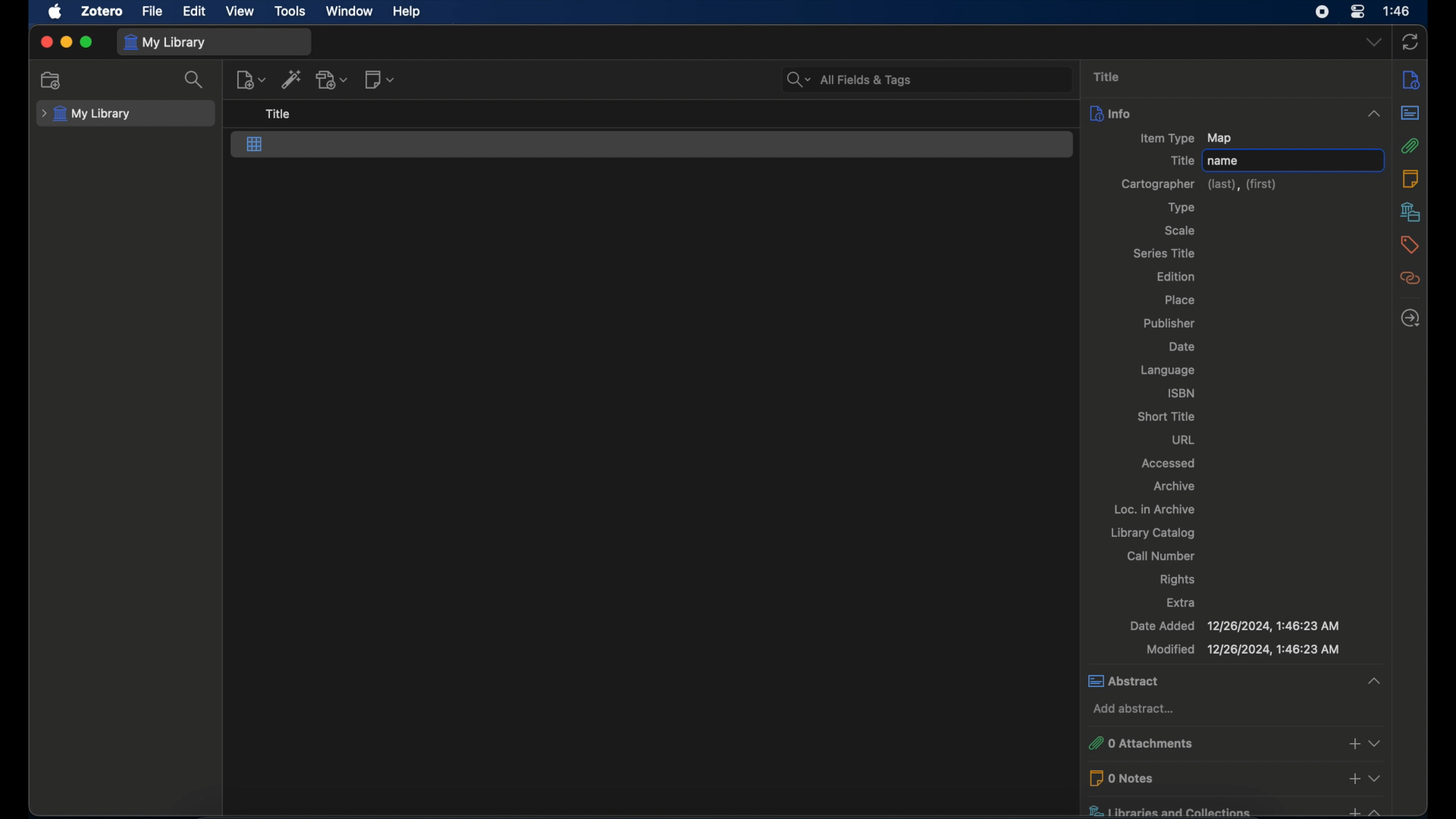  I want to click on call number, so click(1161, 556).